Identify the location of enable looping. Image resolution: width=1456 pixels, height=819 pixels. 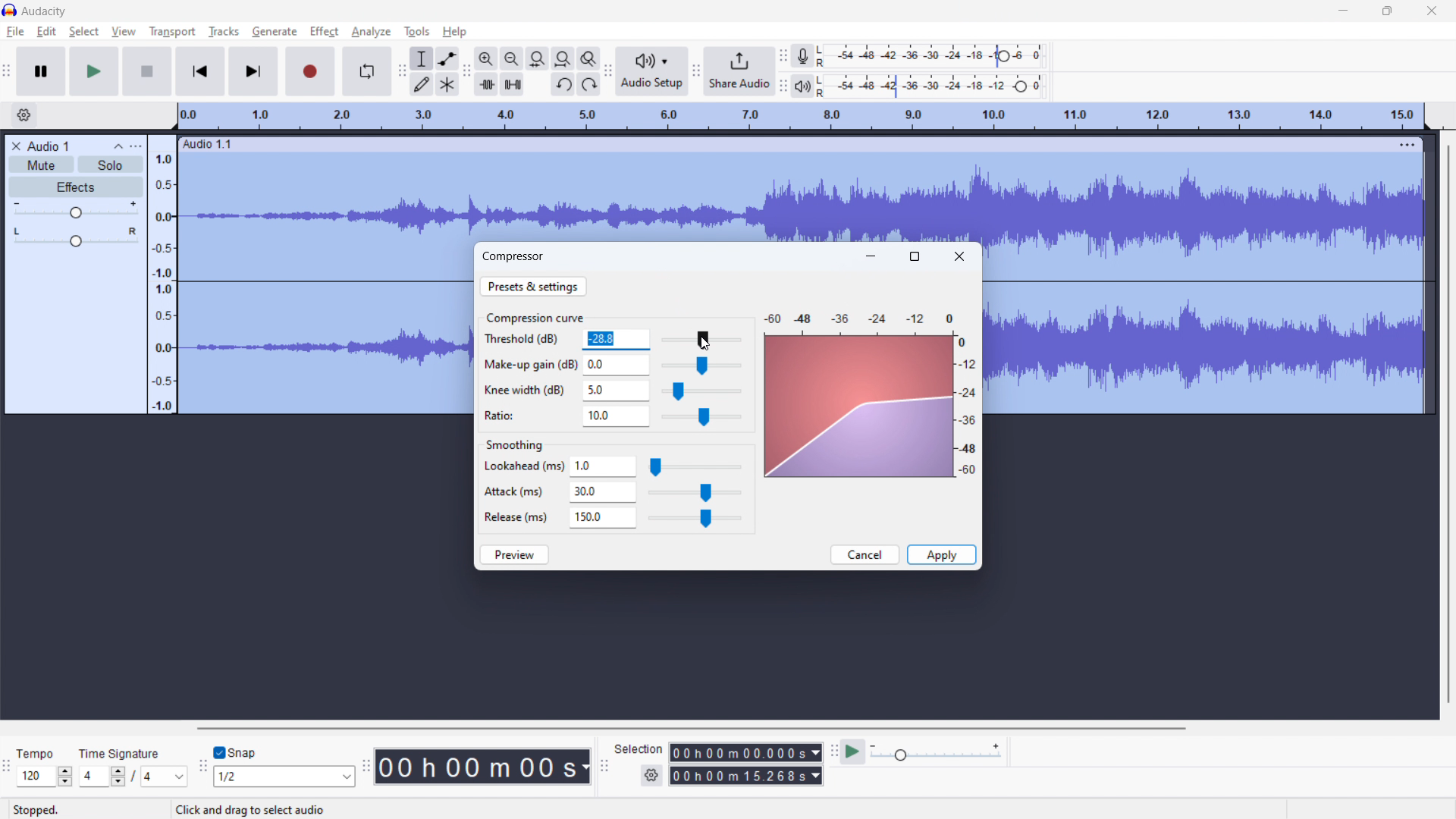
(366, 71).